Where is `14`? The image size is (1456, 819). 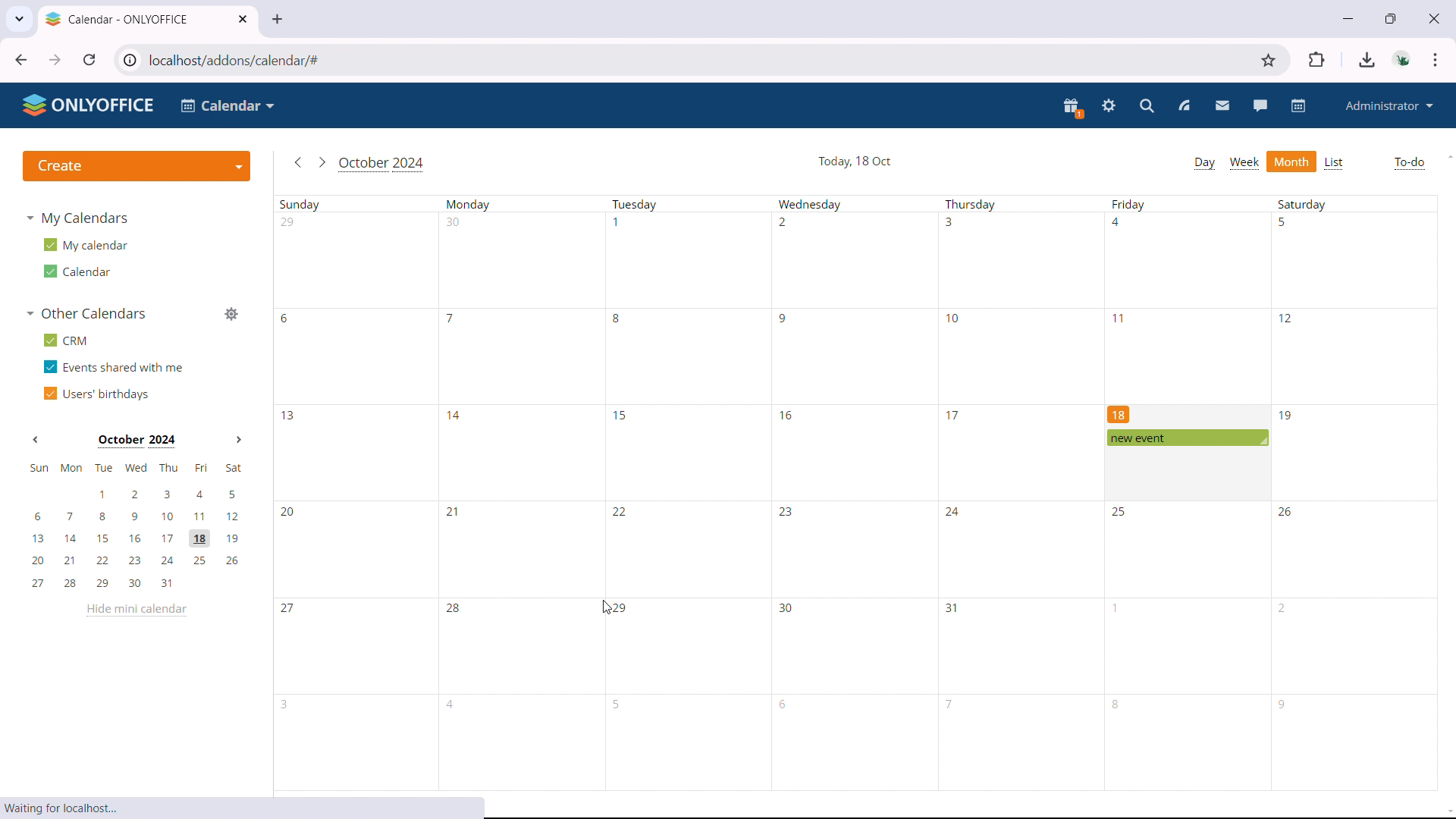
14 is located at coordinates (457, 416).